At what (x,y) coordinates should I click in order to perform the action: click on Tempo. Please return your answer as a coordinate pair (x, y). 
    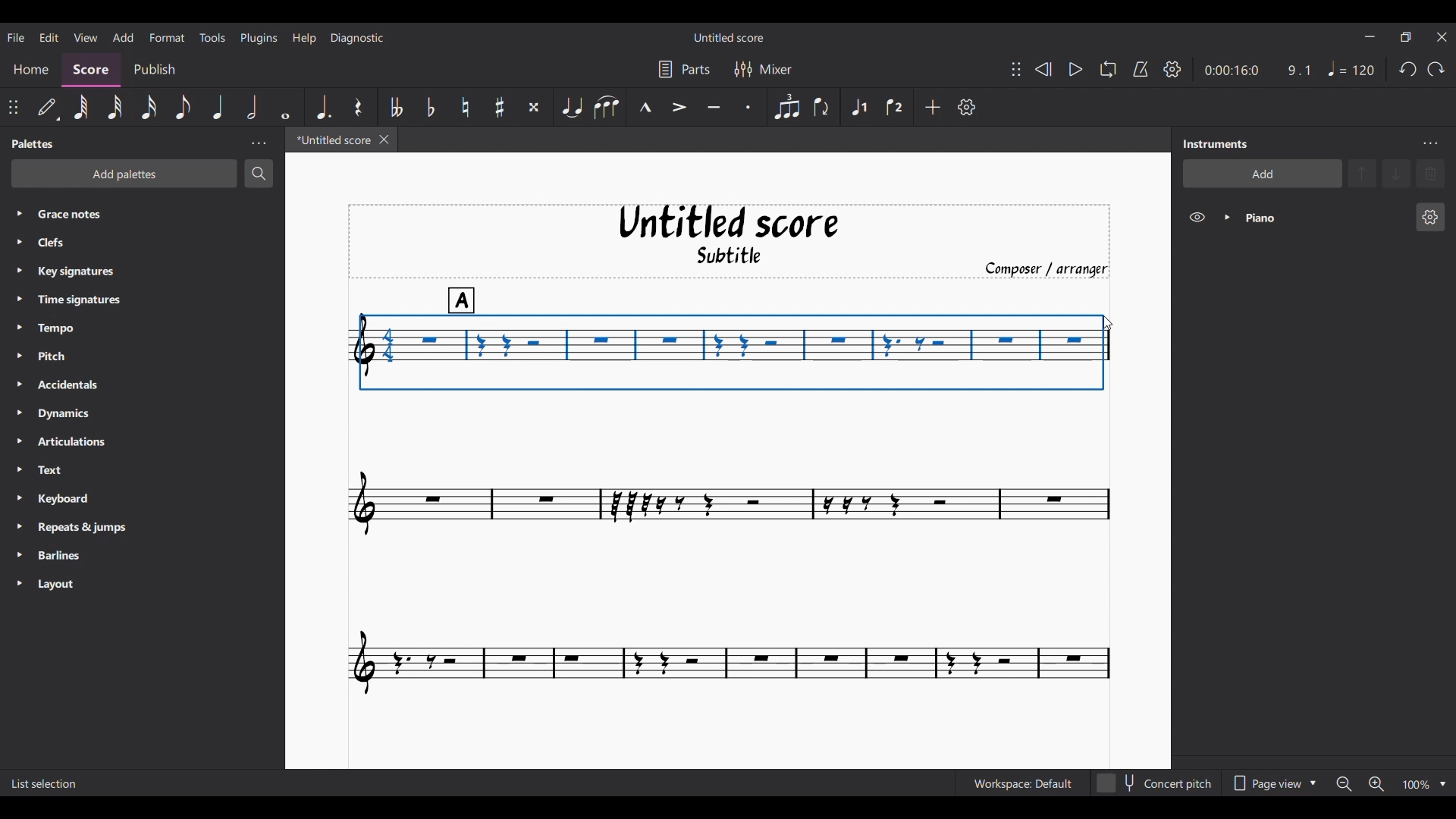
    Looking at the image, I should click on (85, 329).